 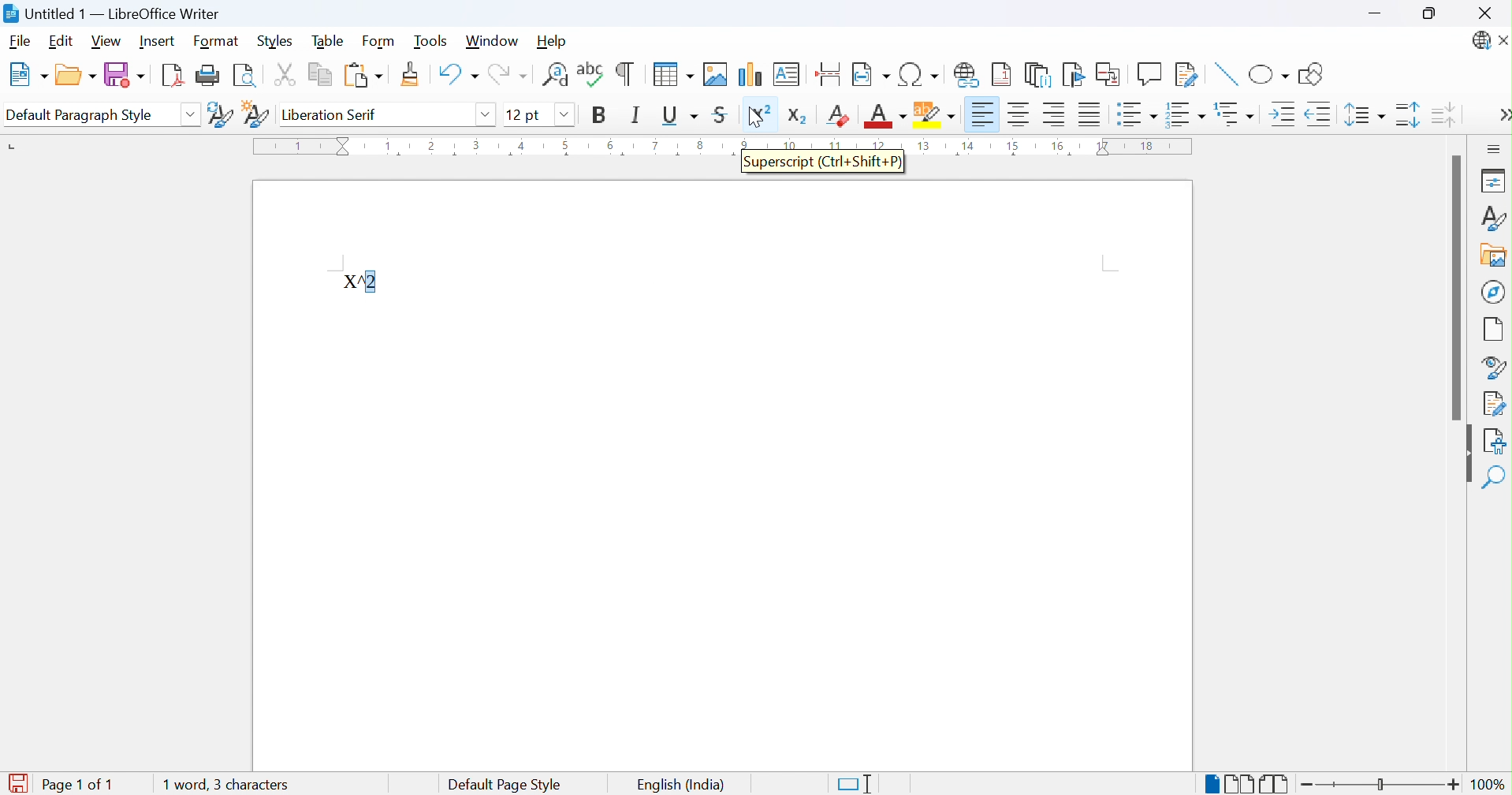 I want to click on Zoom in, so click(x=1449, y=783).